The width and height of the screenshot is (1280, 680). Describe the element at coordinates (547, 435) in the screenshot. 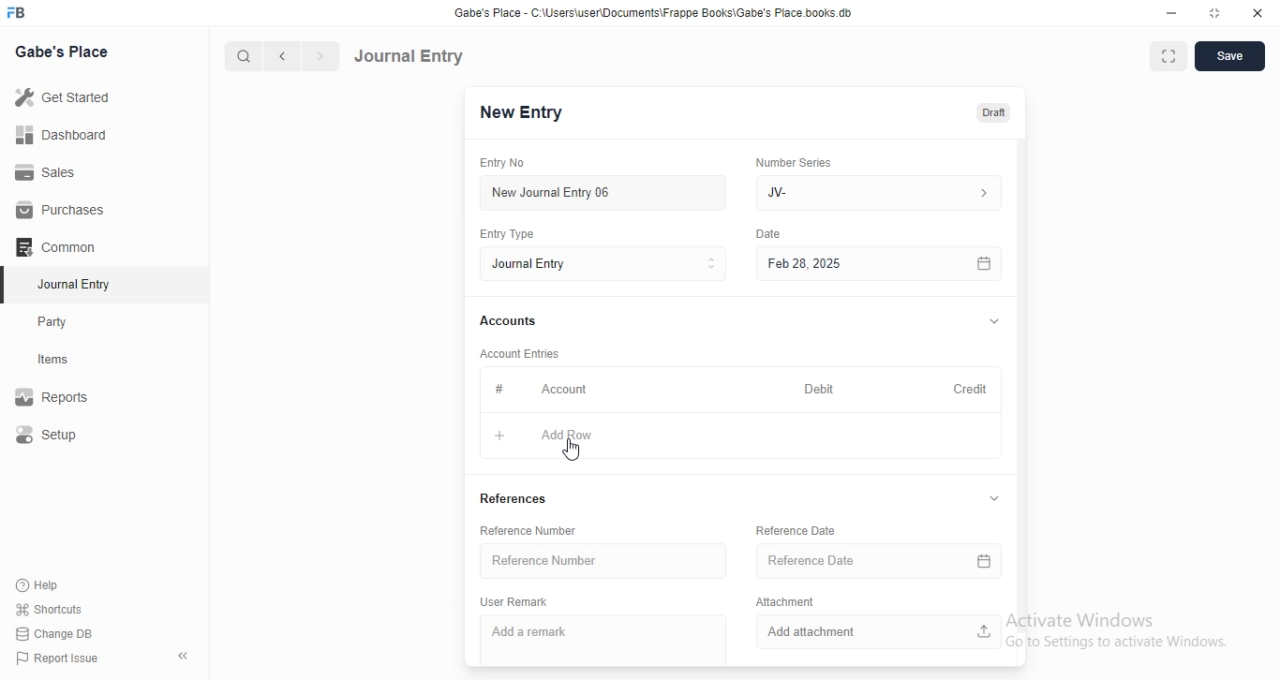

I see `Add Row` at that location.